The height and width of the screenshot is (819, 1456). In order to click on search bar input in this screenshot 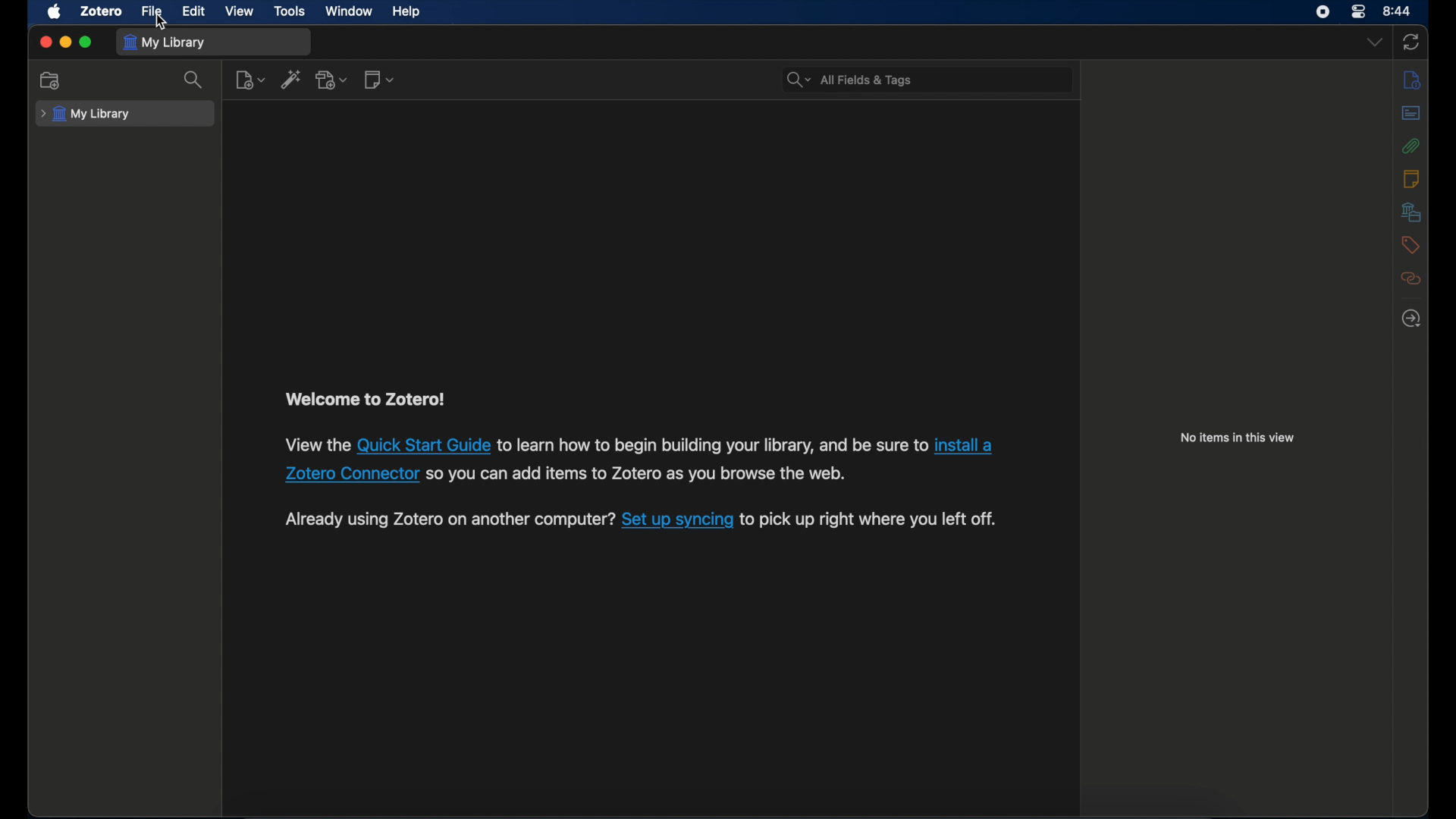, I will do `click(945, 79)`.